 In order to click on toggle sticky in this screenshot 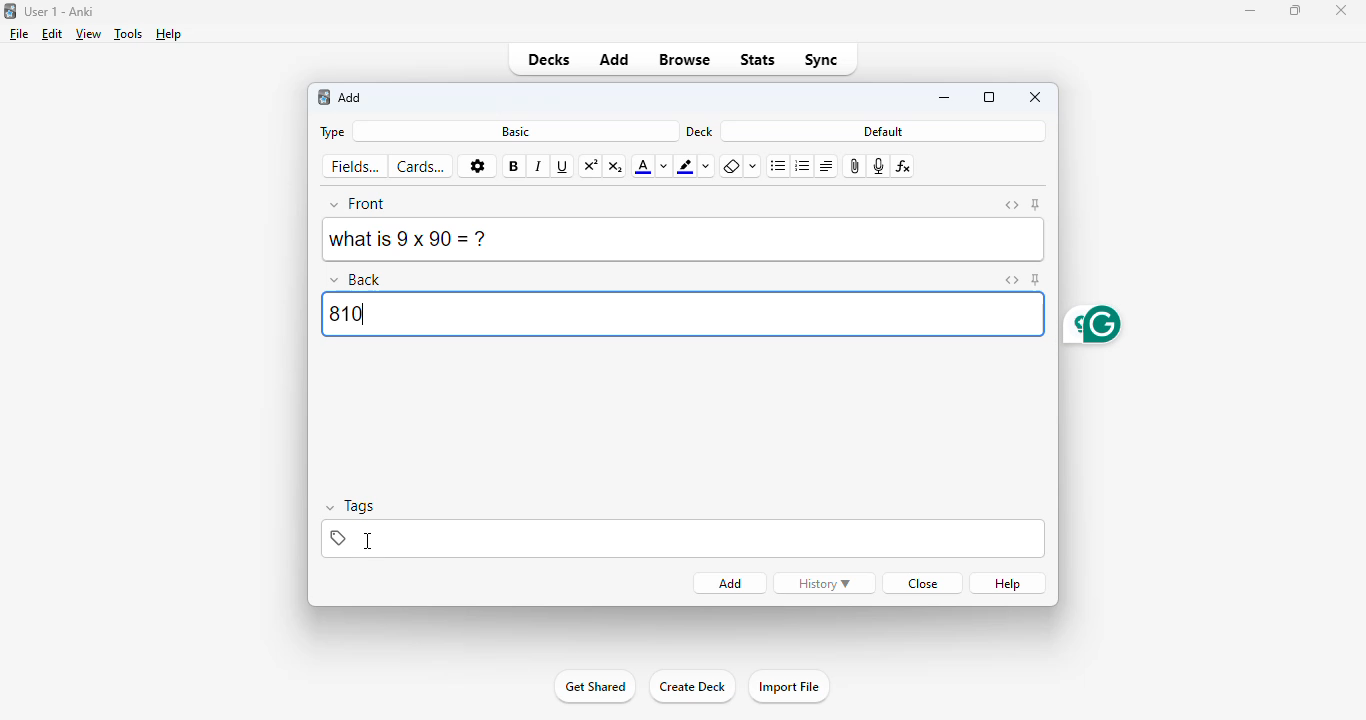, I will do `click(1036, 205)`.